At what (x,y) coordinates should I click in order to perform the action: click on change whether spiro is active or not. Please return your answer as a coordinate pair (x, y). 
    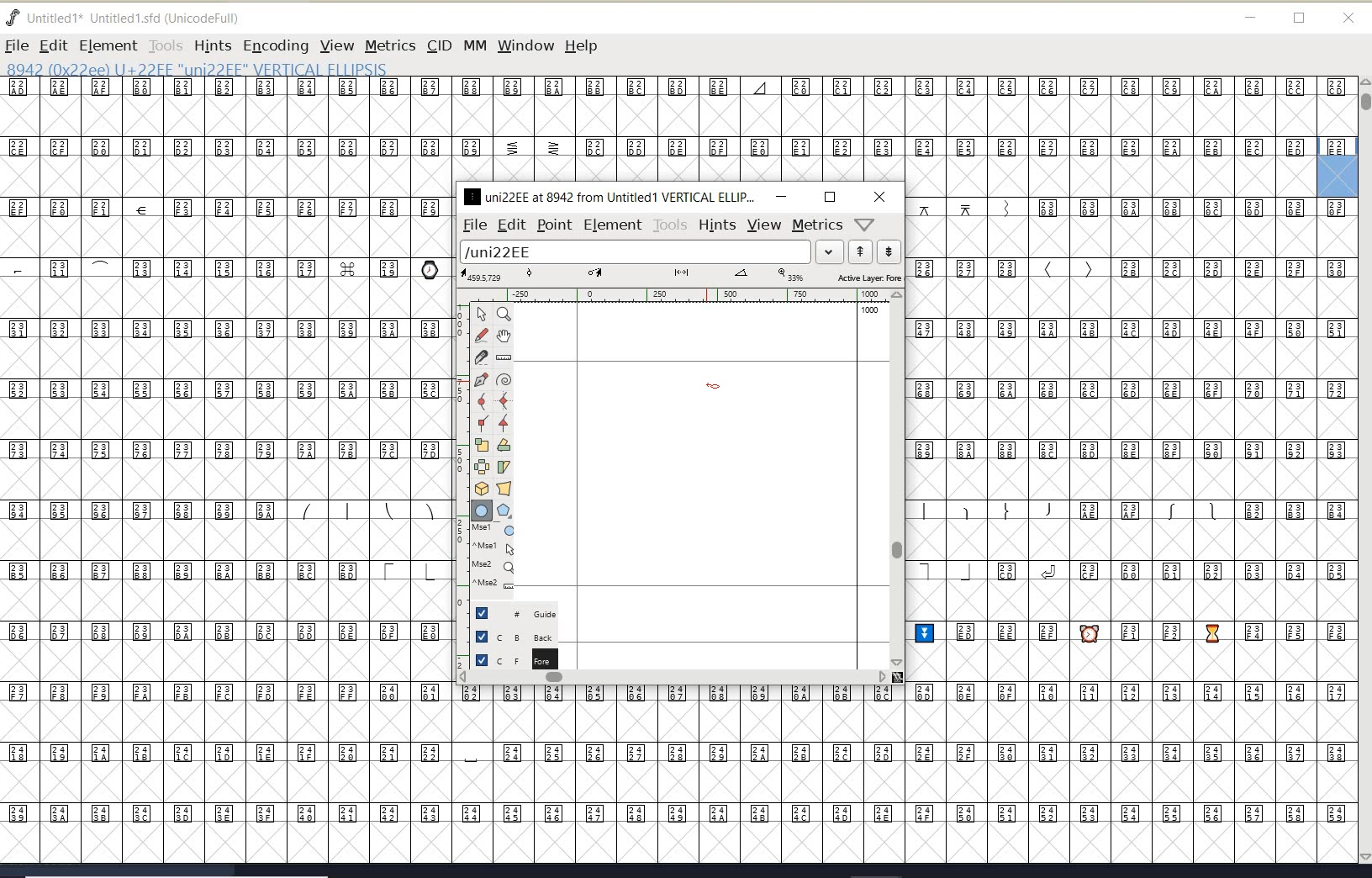
    Looking at the image, I should click on (504, 382).